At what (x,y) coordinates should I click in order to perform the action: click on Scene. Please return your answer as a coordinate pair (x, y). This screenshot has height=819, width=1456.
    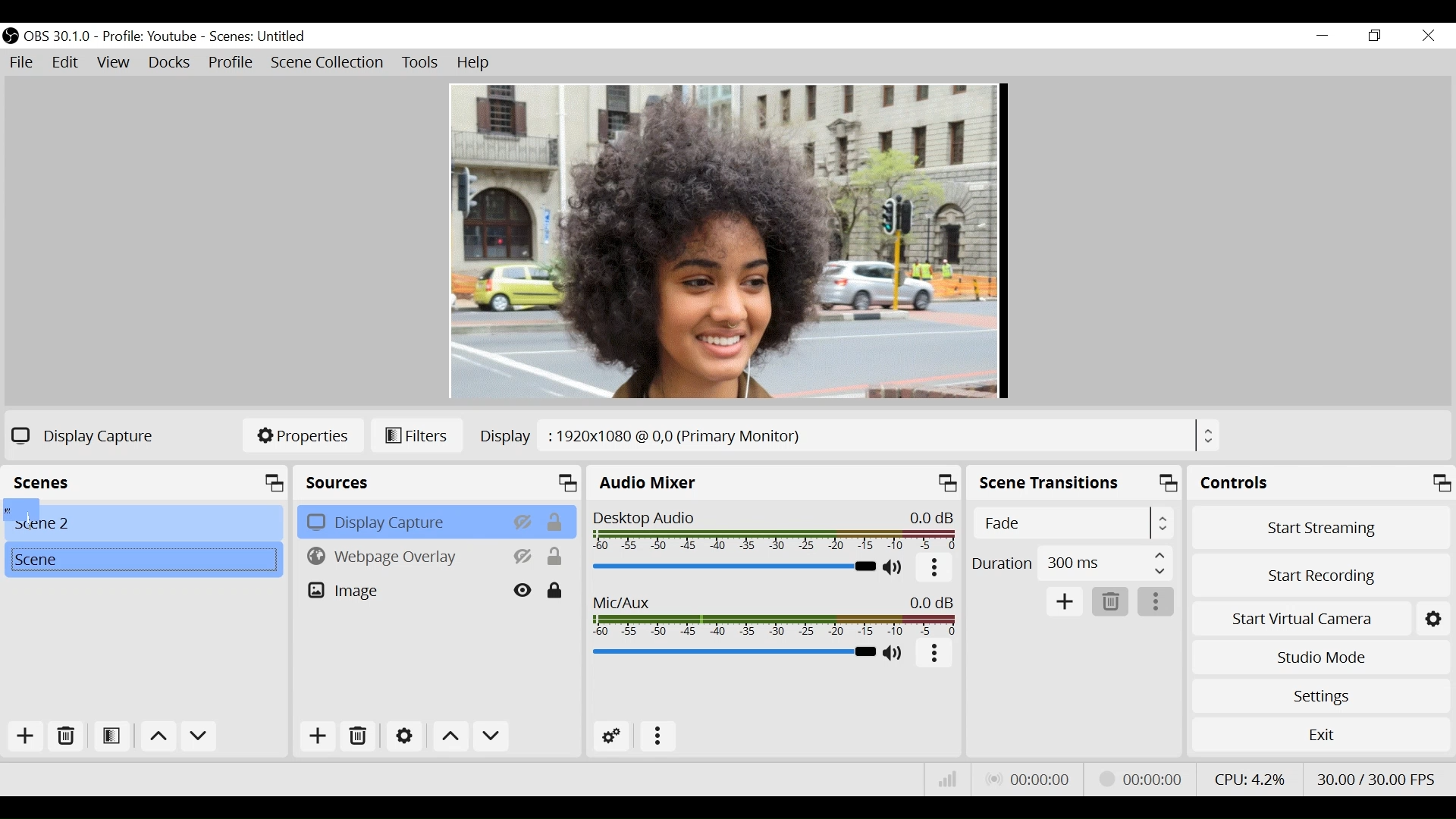
    Looking at the image, I should click on (148, 481).